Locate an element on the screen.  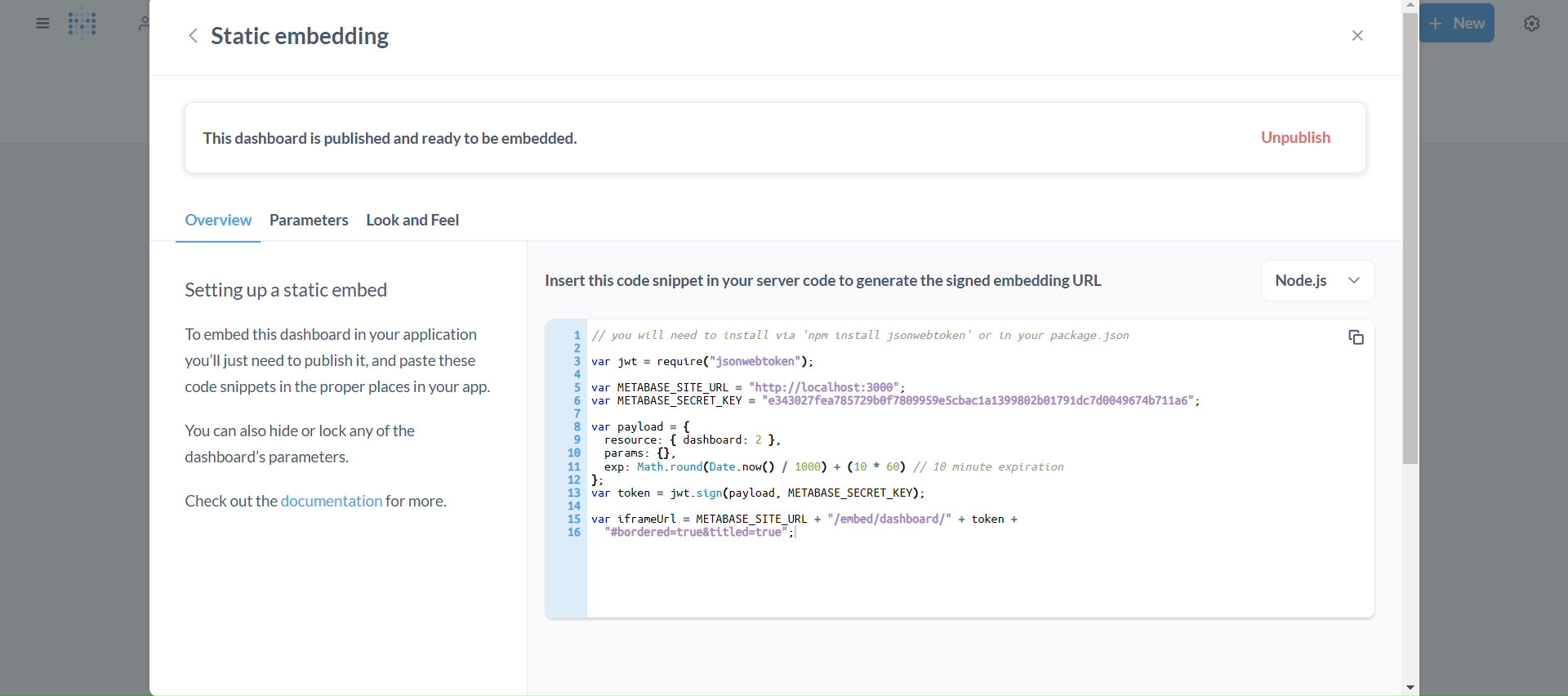
back is located at coordinates (193, 38).